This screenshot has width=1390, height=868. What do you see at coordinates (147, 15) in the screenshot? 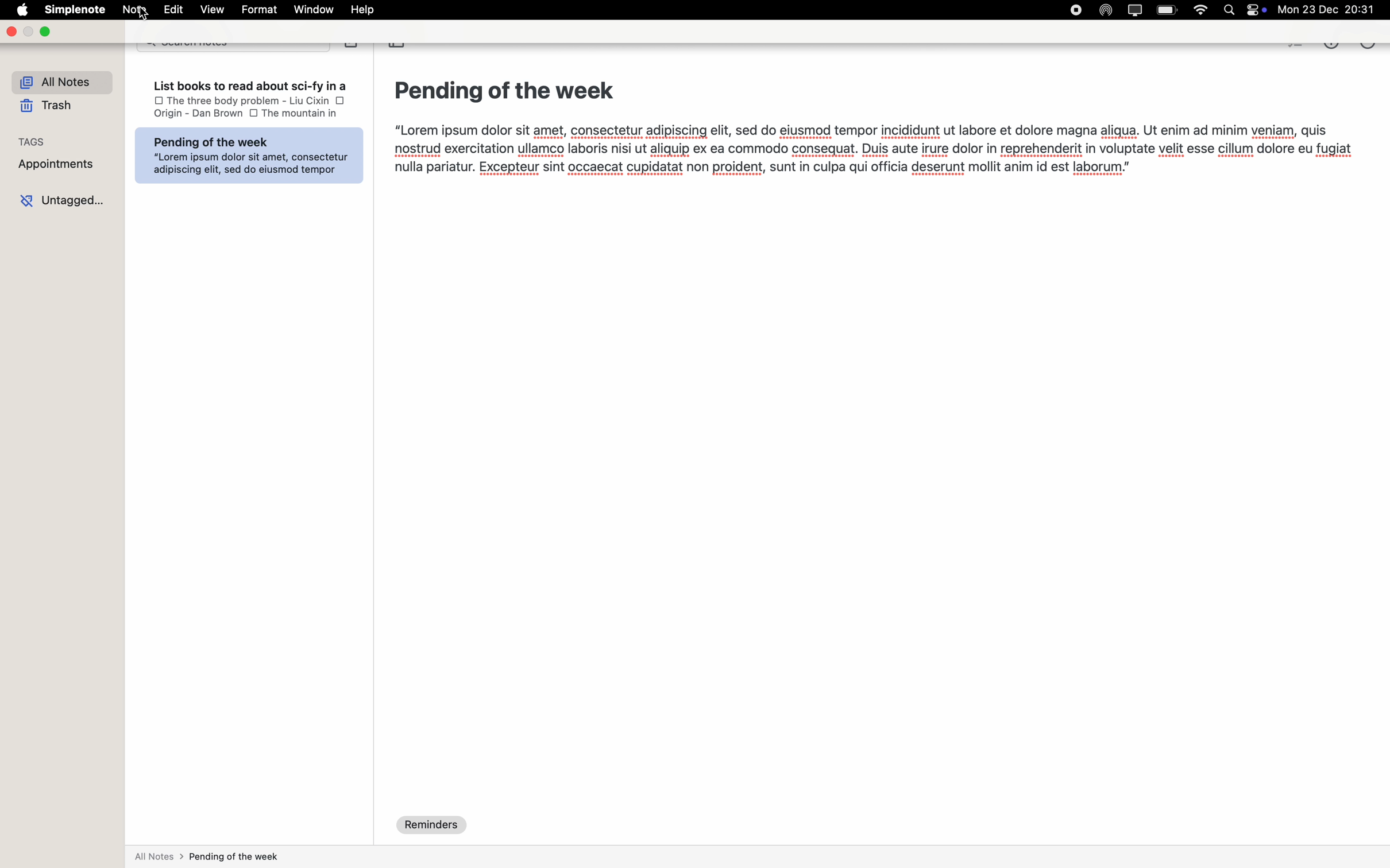
I see `cursor` at bounding box center [147, 15].